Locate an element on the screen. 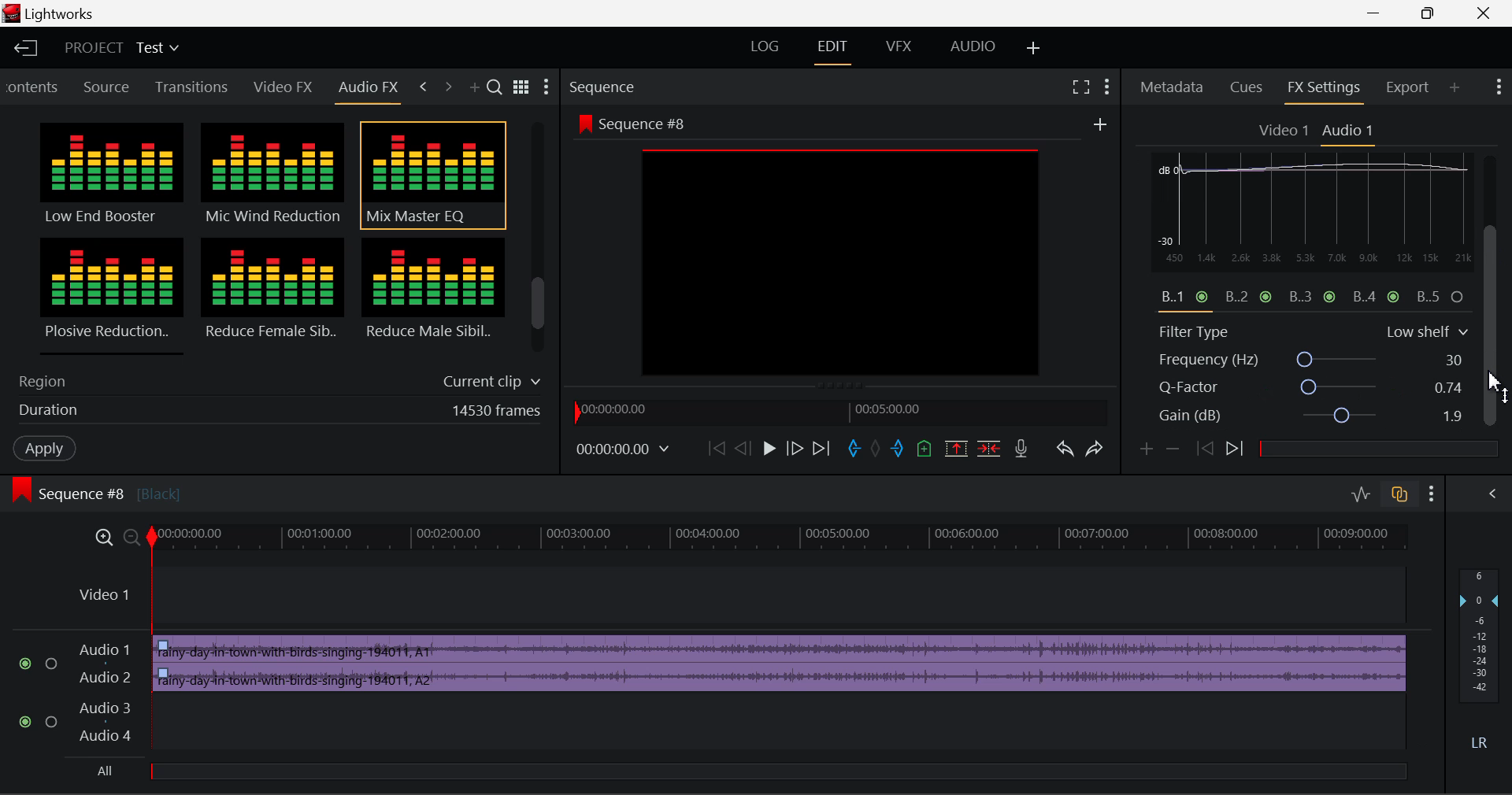  Mart Out is located at coordinates (899, 449).